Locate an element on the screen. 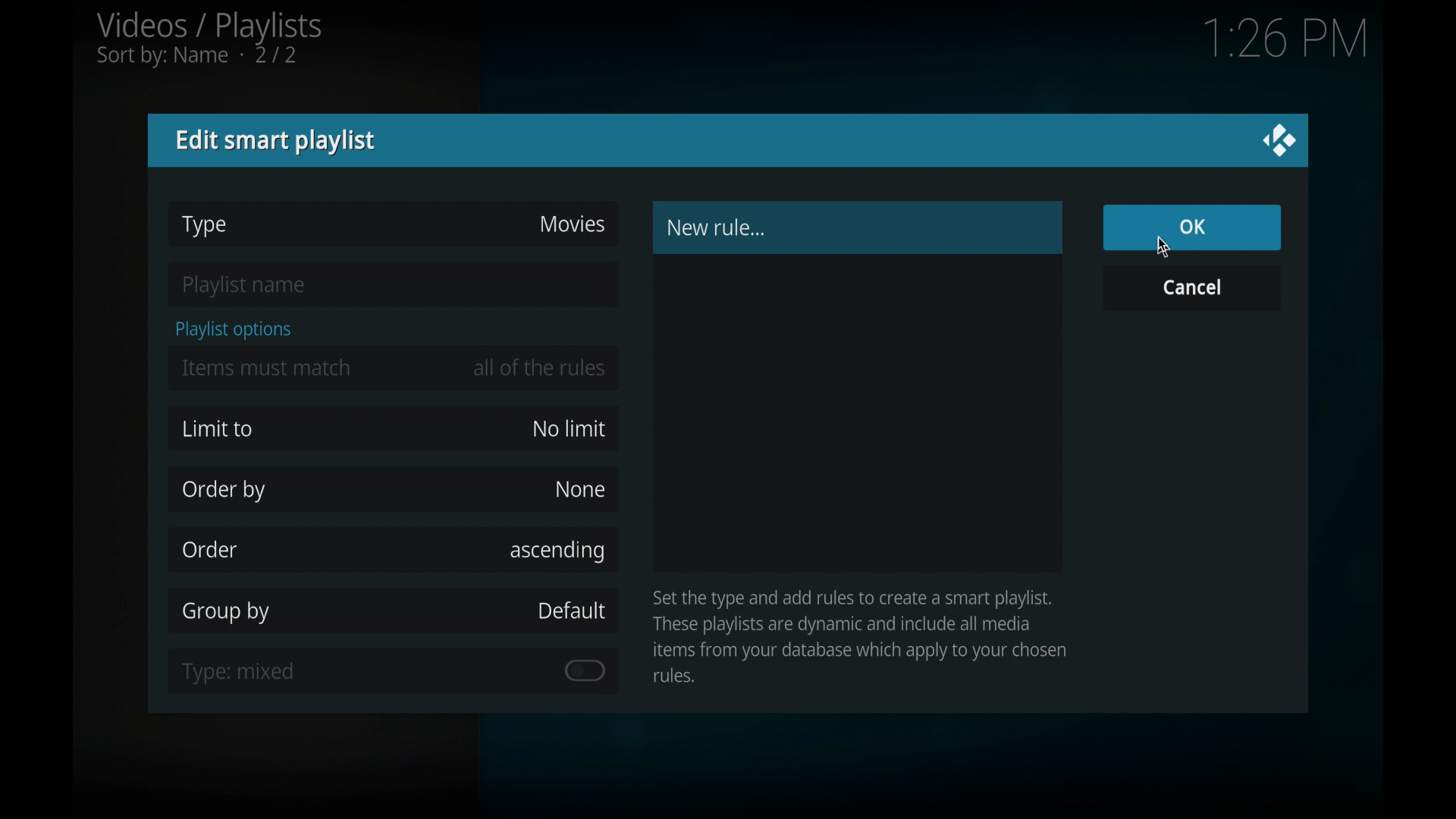 The height and width of the screenshot is (819, 1456). playlist name is located at coordinates (247, 287).